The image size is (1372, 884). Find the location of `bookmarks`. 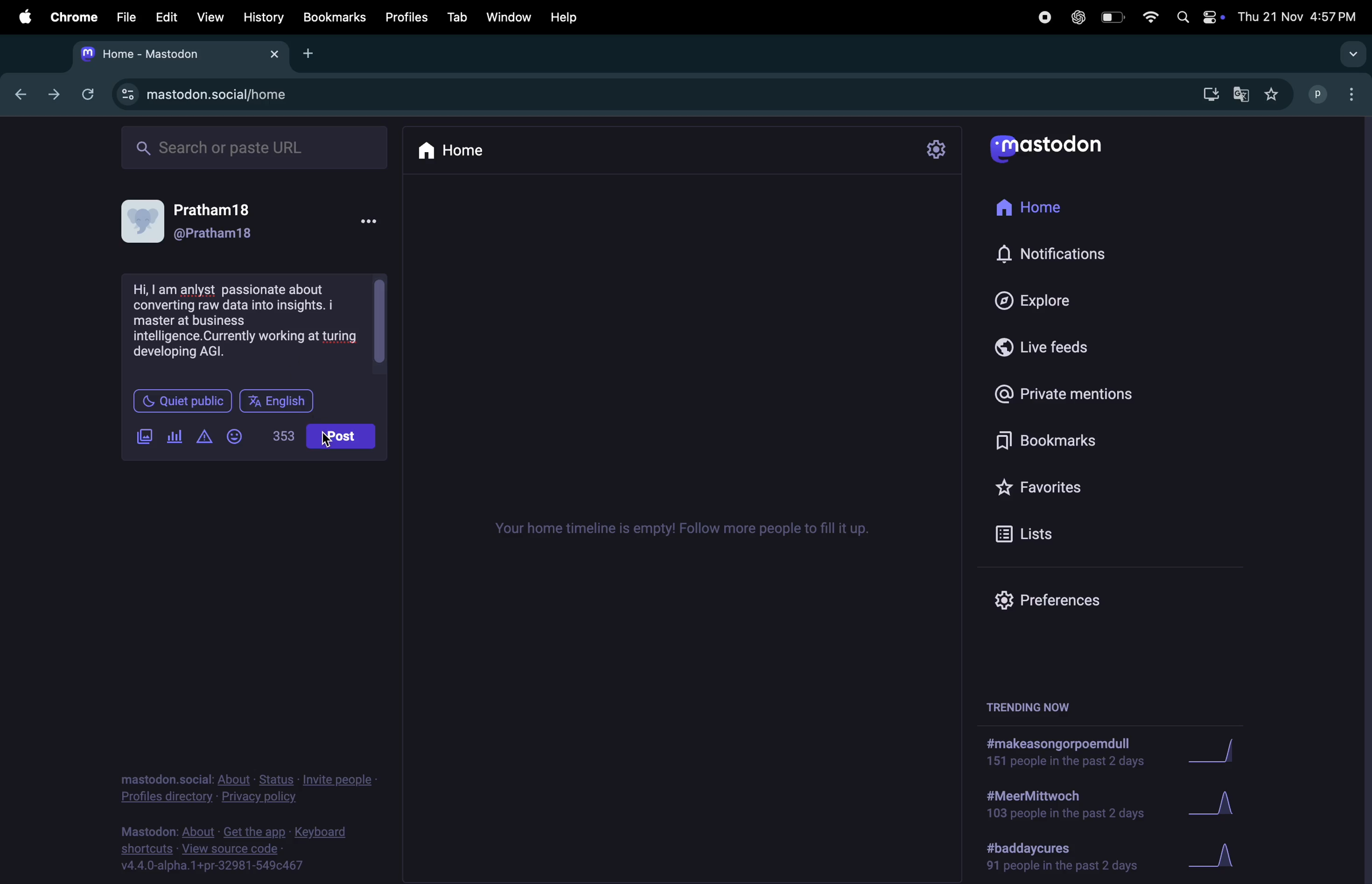

bookmarks is located at coordinates (335, 18).